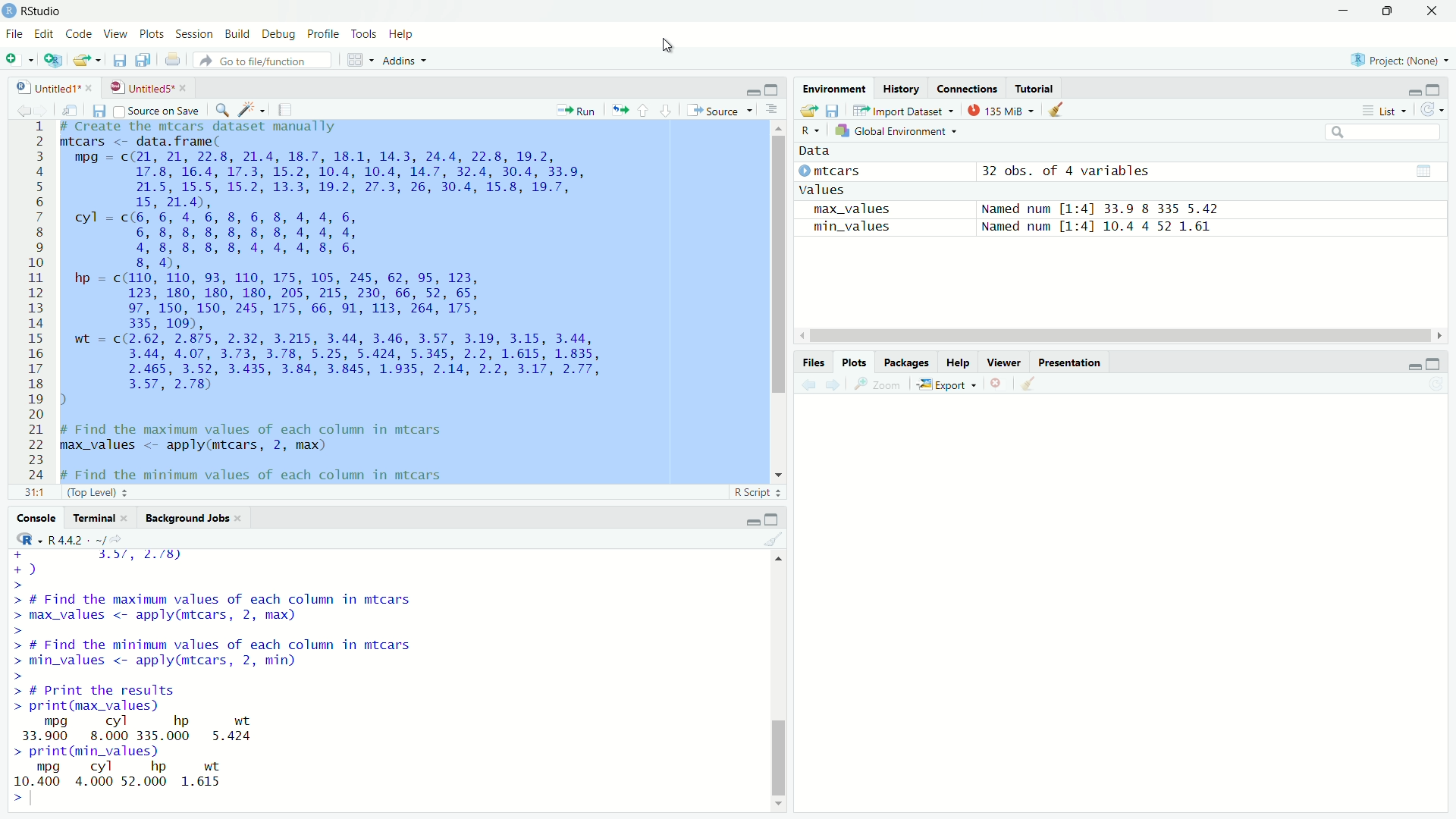  Describe the element at coordinates (851, 359) in the screenshot. I see `Plots` at that location.